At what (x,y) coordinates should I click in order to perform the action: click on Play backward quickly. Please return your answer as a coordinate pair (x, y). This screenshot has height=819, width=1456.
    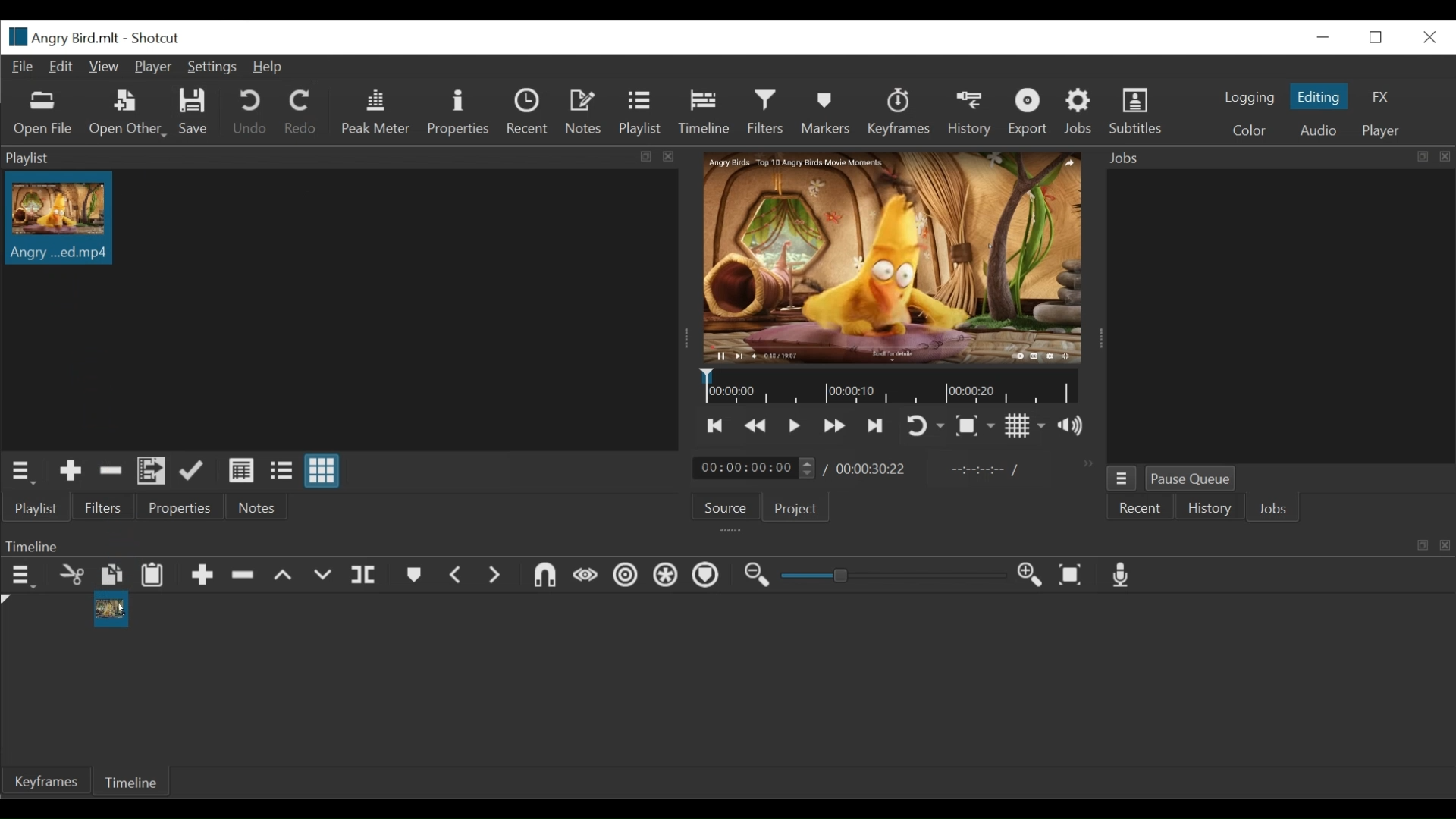
    Looking at the image, I should click on (754, 425).